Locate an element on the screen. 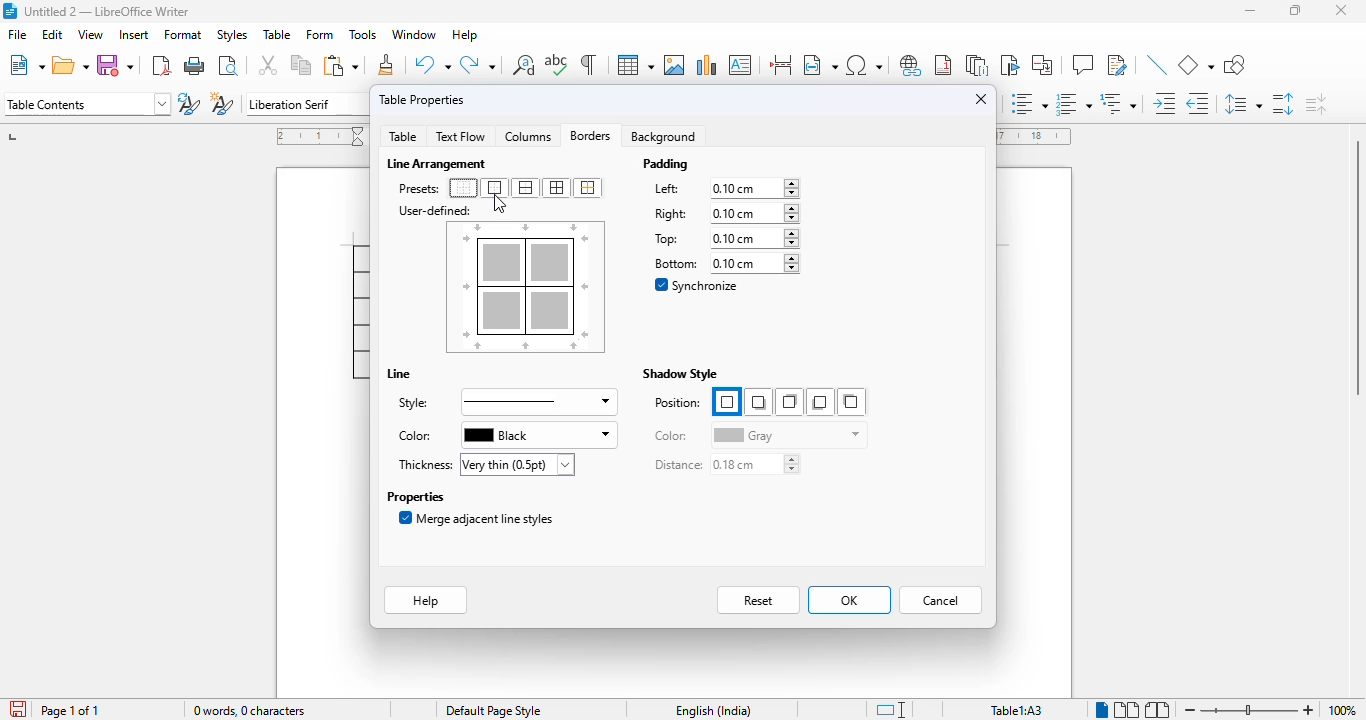  line arrangement is located at coordinates (439, 164).